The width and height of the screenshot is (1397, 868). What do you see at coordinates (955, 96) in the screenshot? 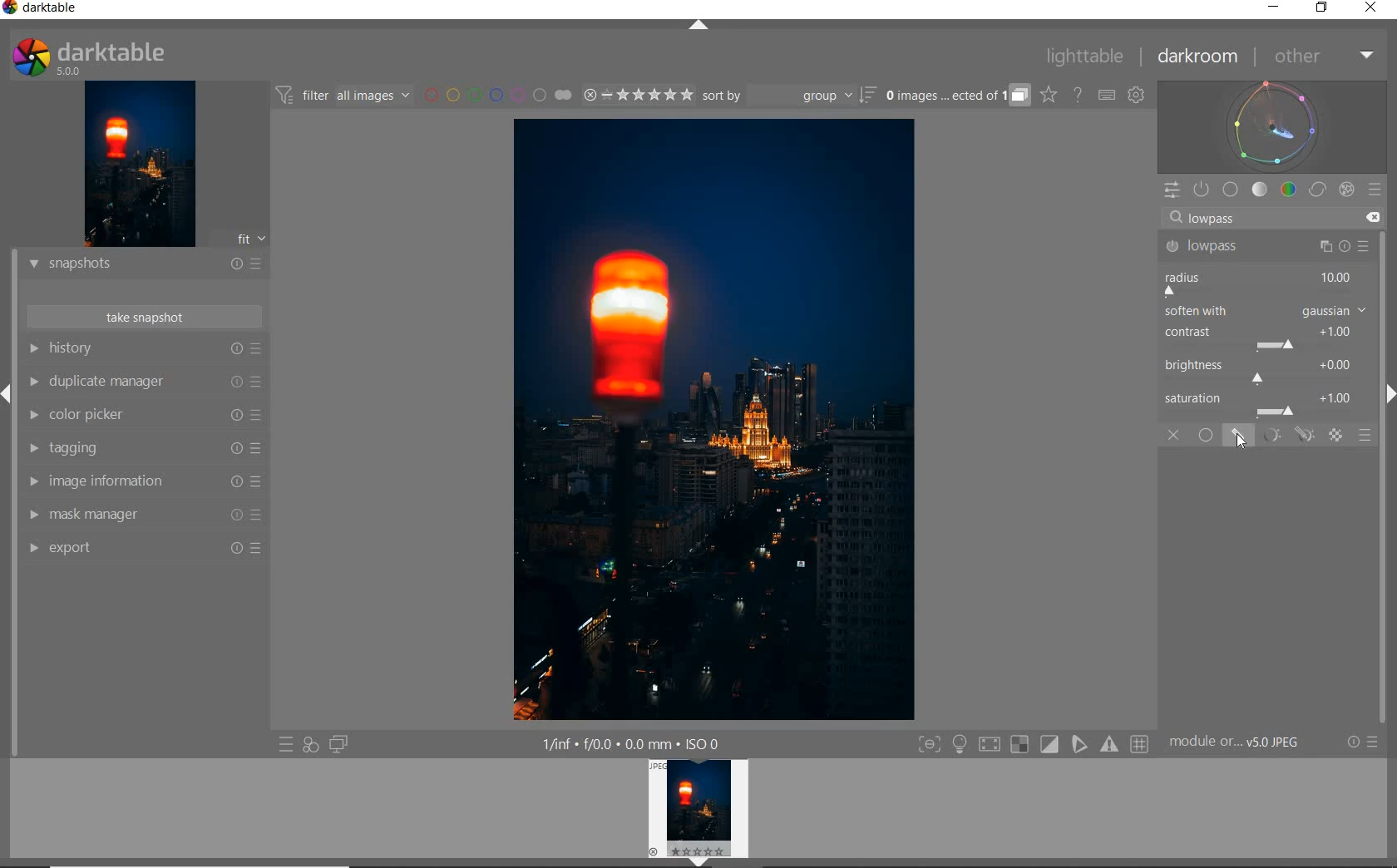
I see `EXPAND GROUPED IMAGES` at bounding box center [955, 96].